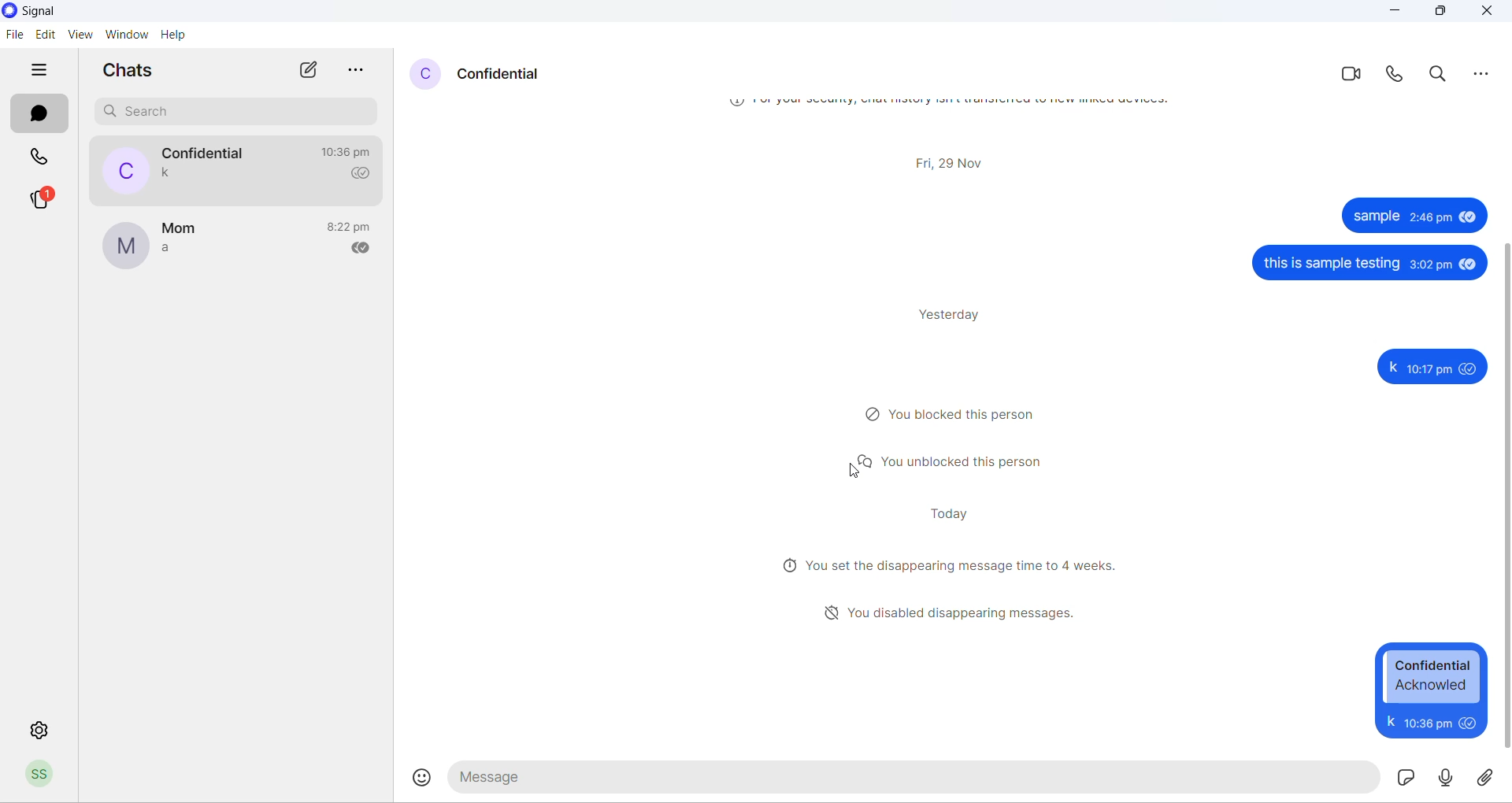  What do you see at coordinates (858, 475) in the screenshot?
I see `cursor` at bounding box center [858, 475].